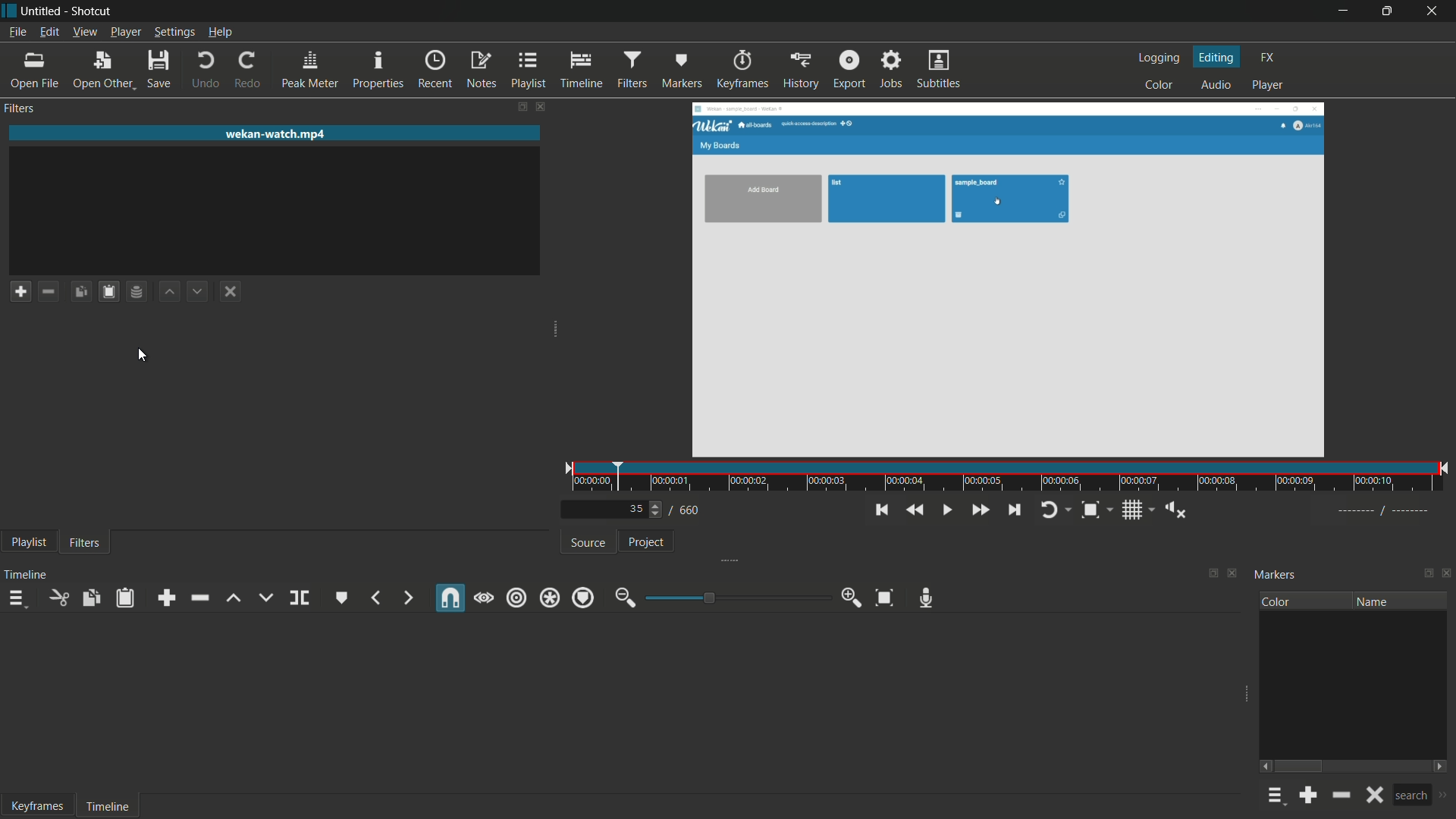 This screenshot has width=1456, height=819. What do you see at coordinates (938, 70) in the screenshot?
I see `subtitles` at bounding box center [938, 70].